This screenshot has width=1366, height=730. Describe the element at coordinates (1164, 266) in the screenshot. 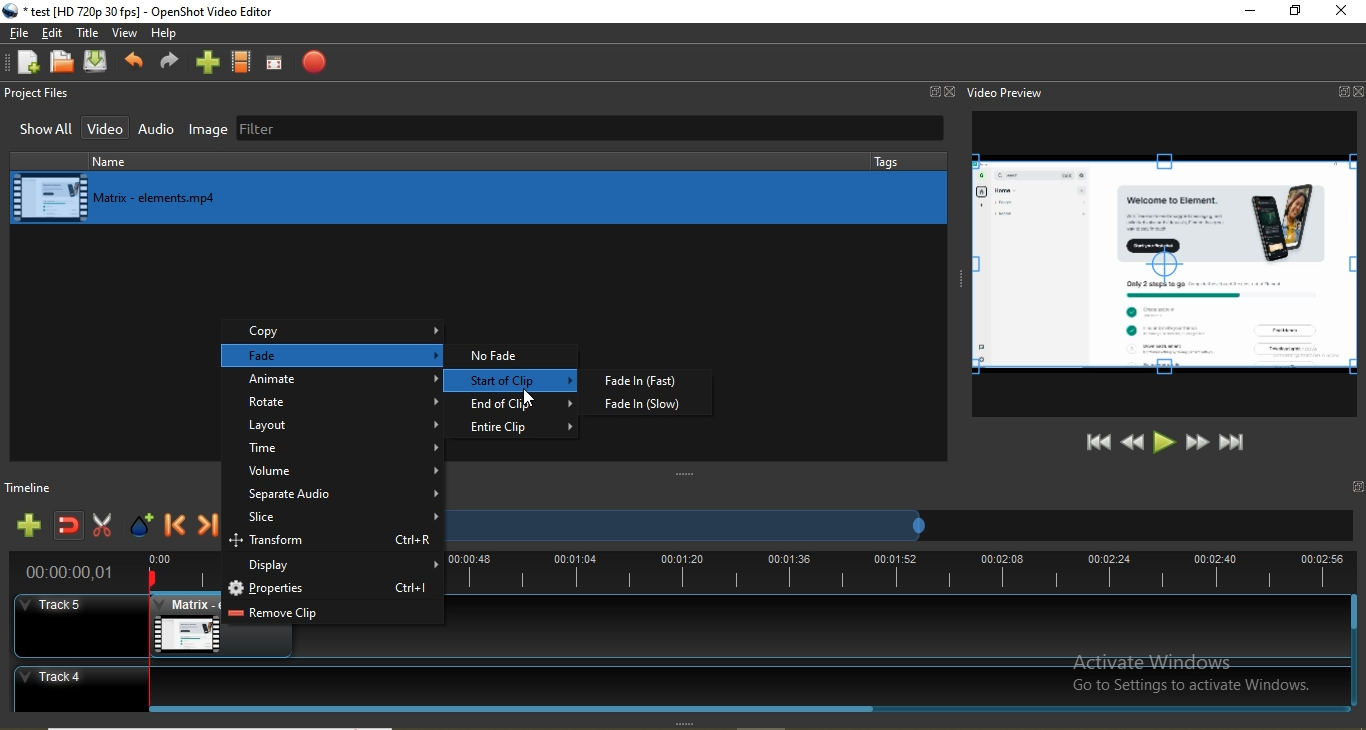

I see `editing buttons` at that location.